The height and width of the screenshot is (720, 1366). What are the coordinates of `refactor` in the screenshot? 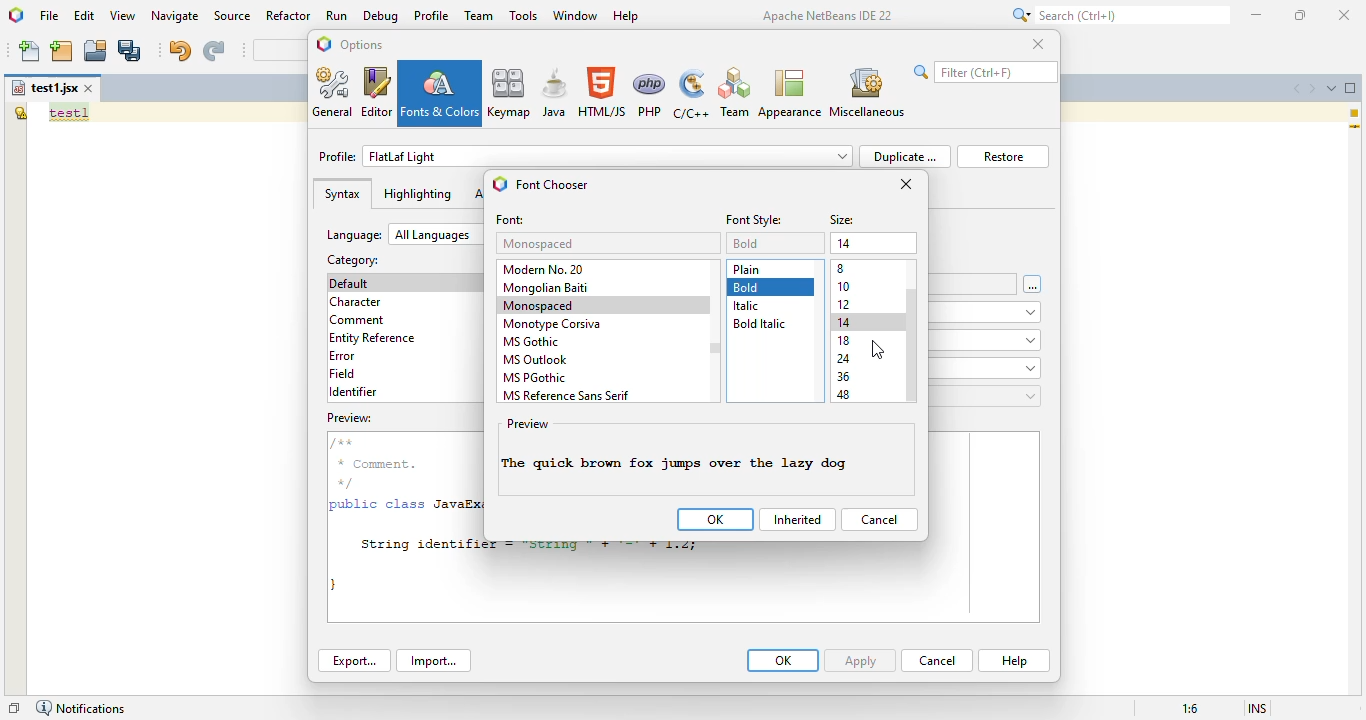 It's located at (289, 16).